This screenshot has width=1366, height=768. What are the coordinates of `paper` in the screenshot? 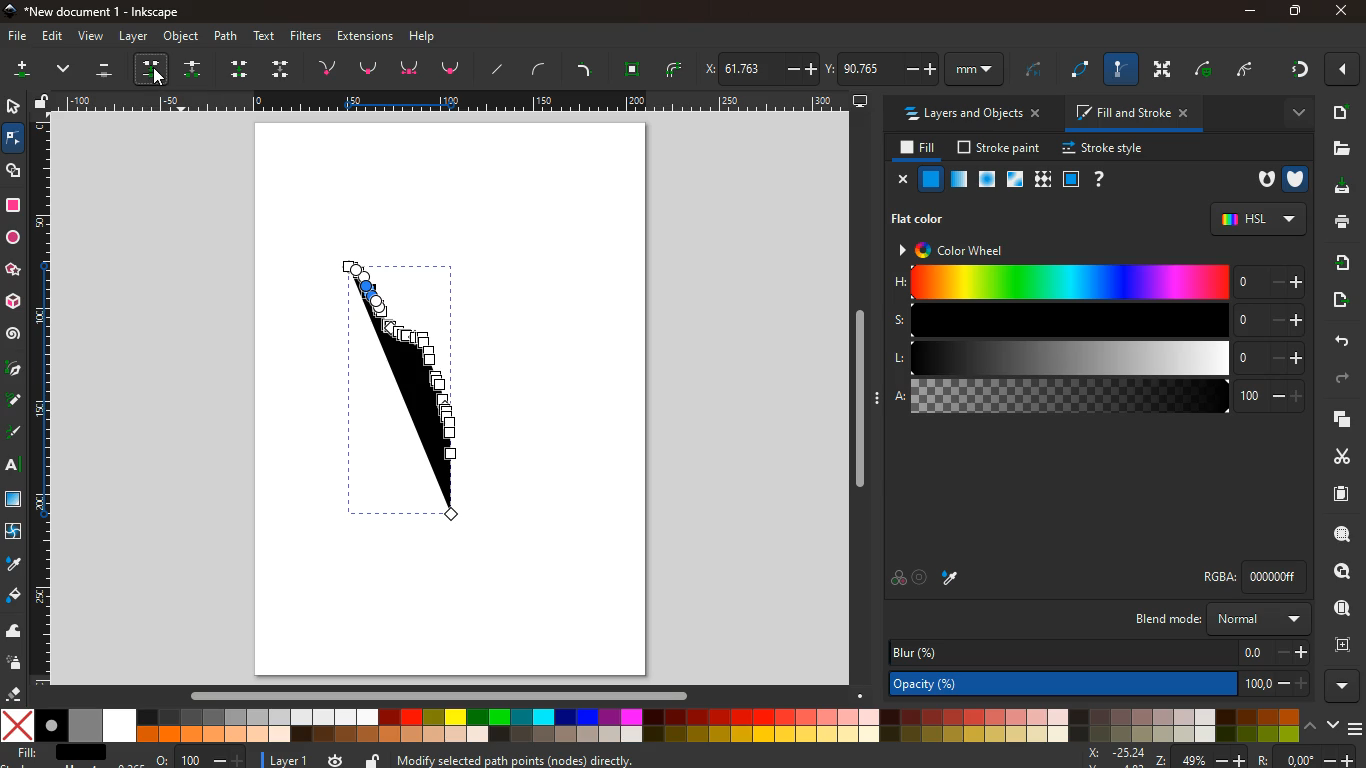 It's located at (1339, 493).